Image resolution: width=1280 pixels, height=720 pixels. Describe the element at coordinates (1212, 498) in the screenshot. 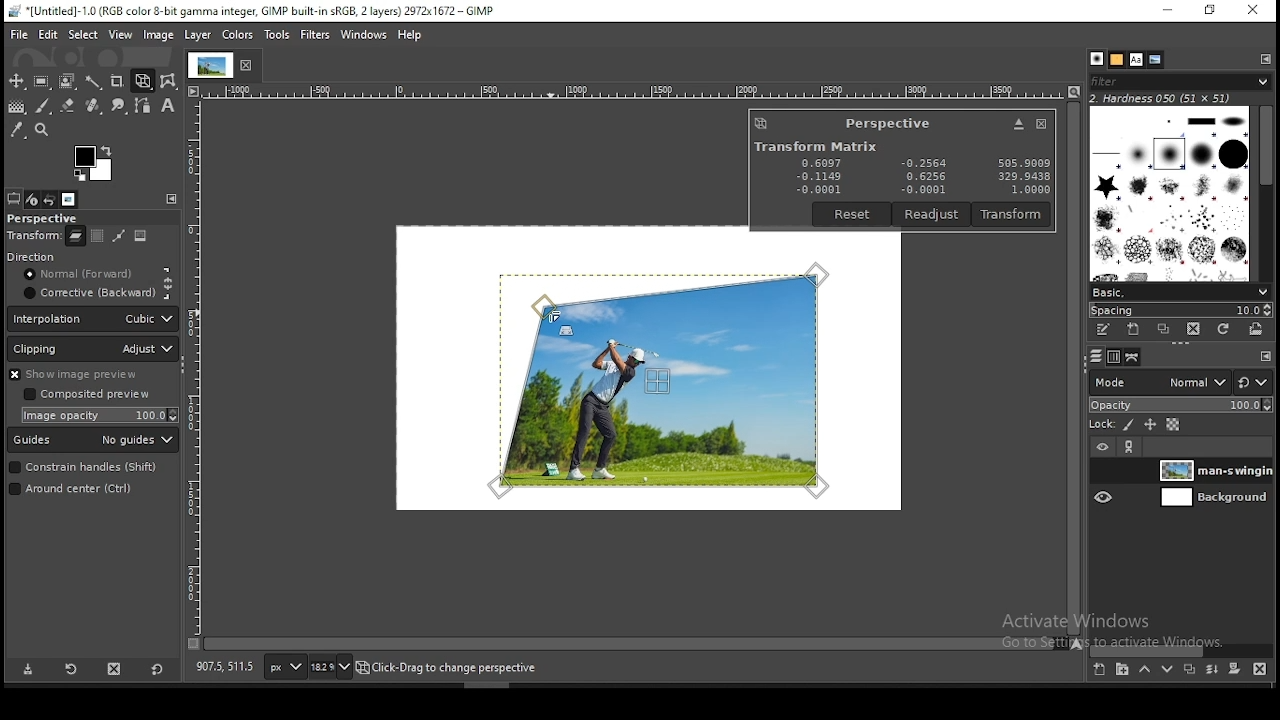

I see `layer ` at that location.